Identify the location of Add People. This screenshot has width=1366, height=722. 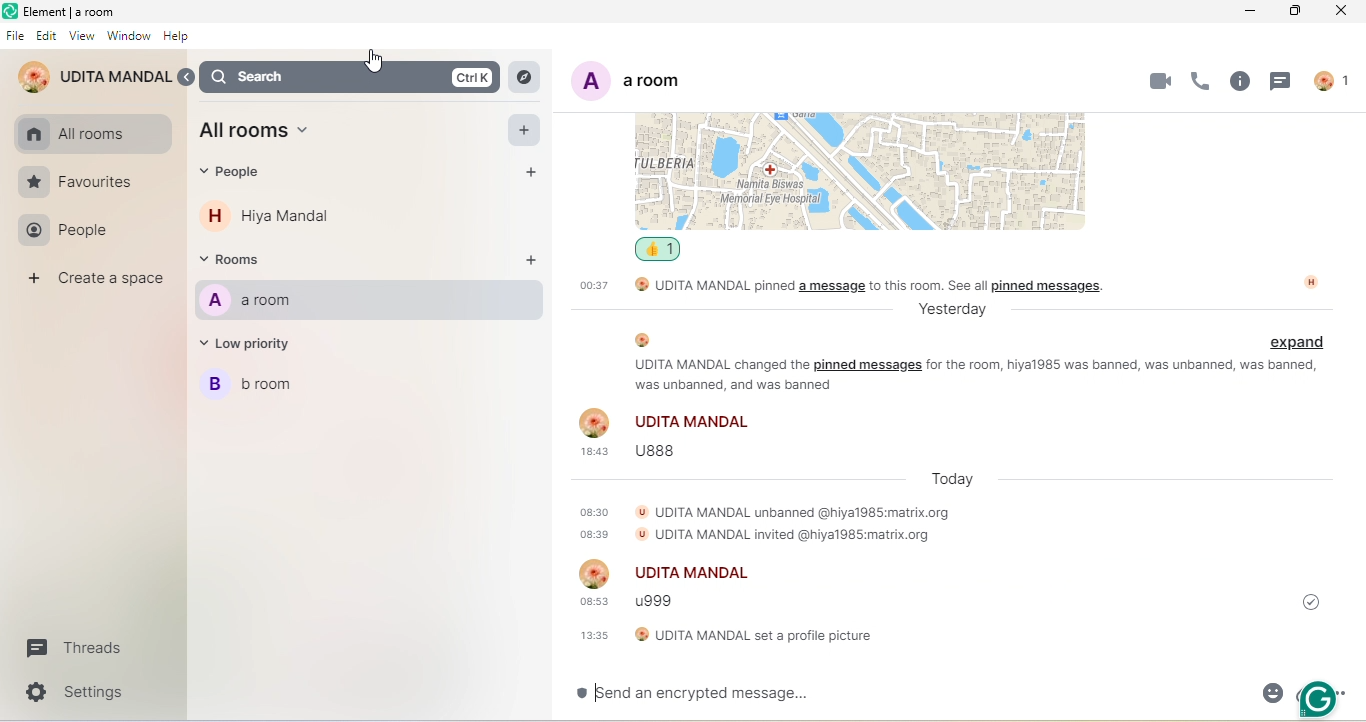
(534, 173).